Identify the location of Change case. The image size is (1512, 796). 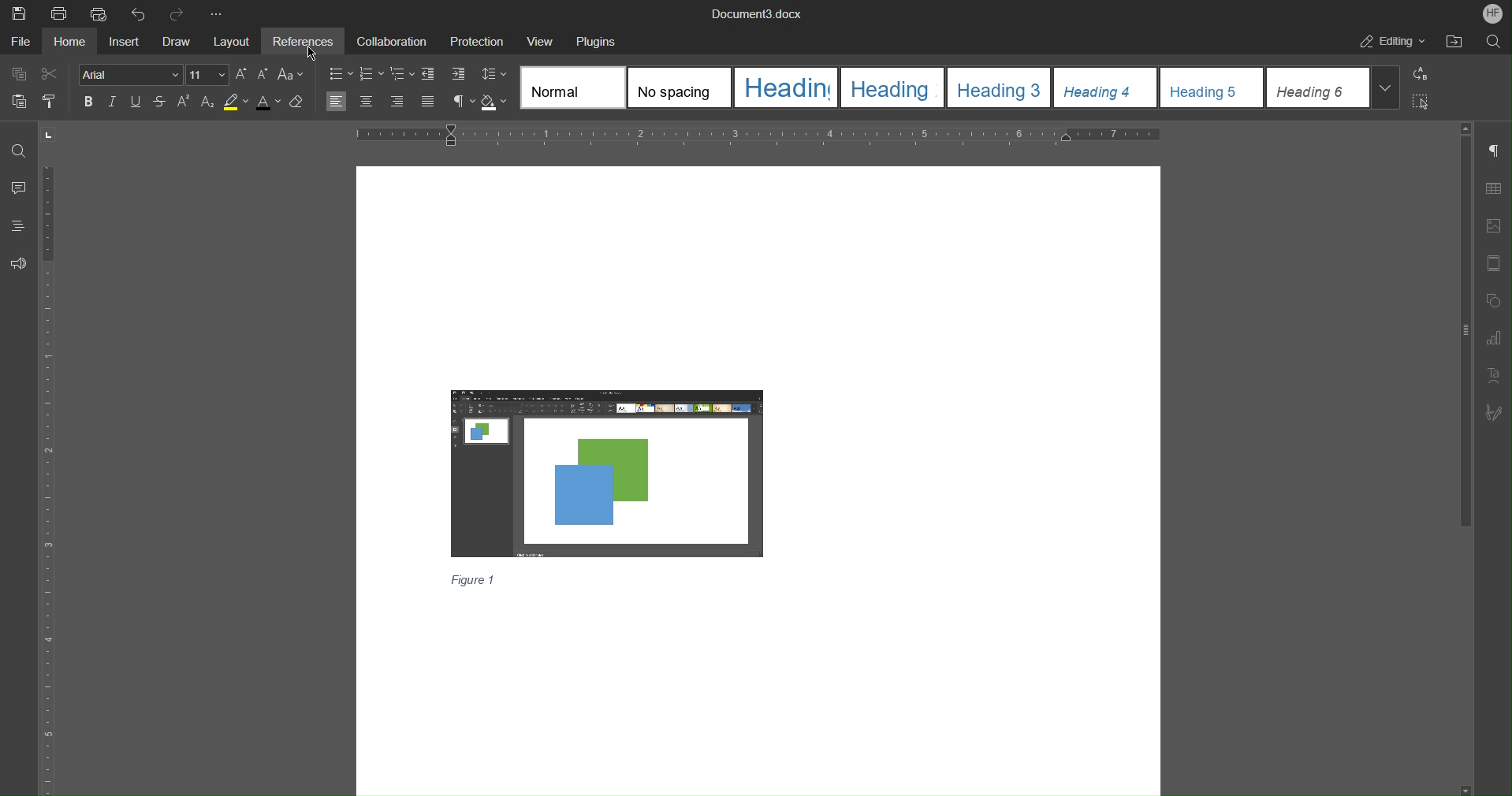
(291, 74).